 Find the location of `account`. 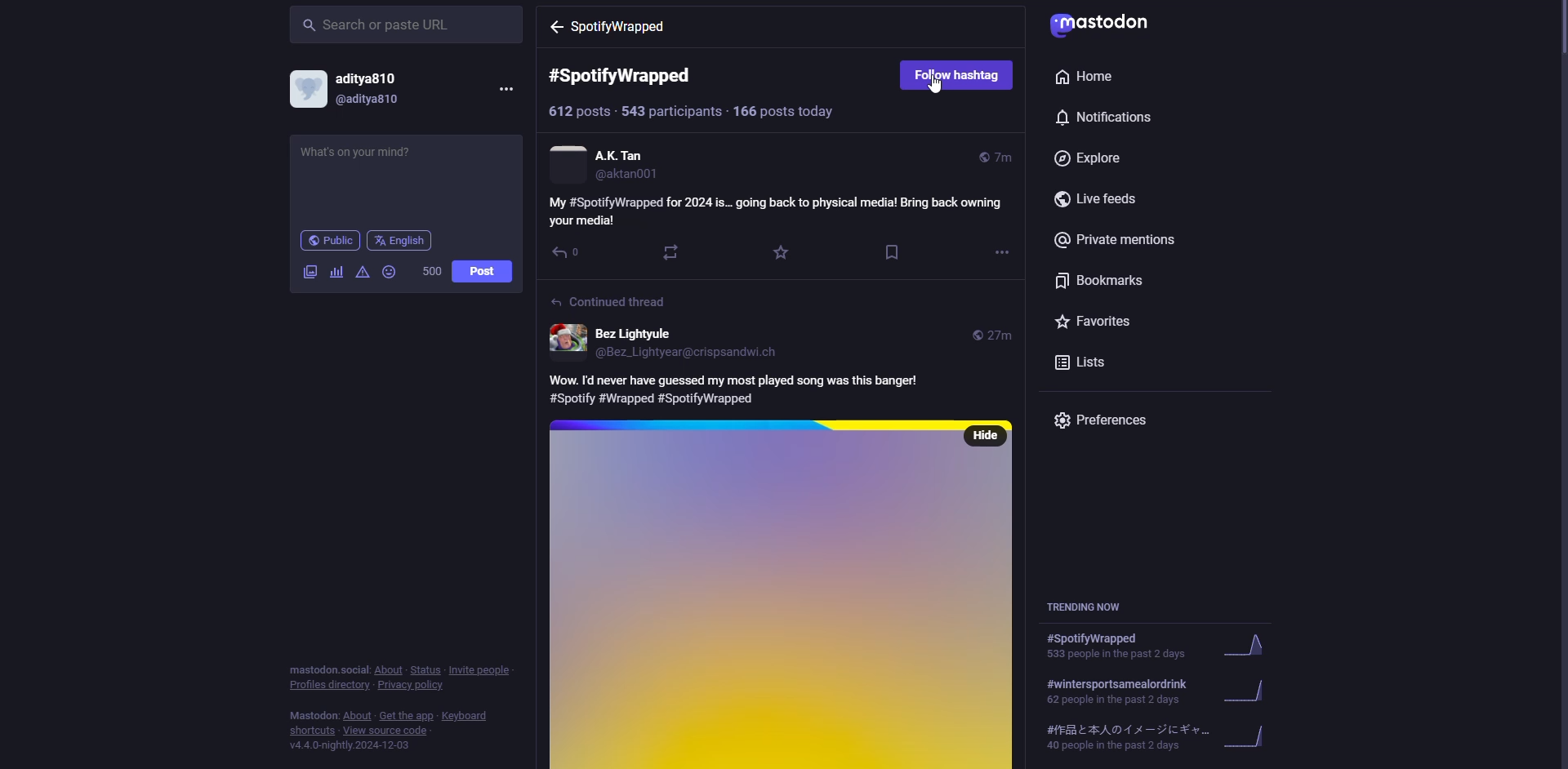

account is located at coordinates (359, 89).